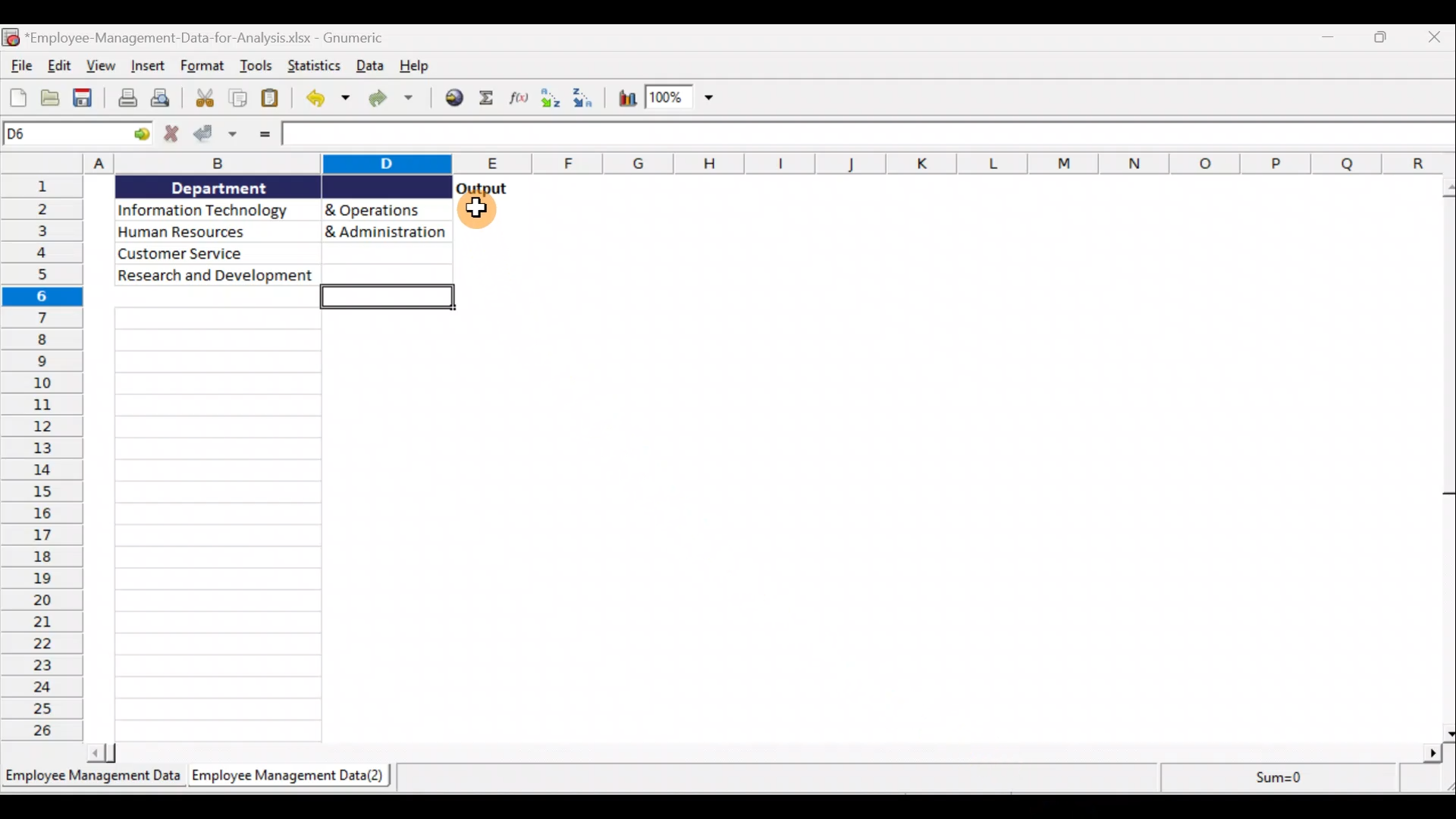  What do you see at coordinates (1386, 39) in the screenshot?
I see `Maximise` at bounding box center [1386, 39].